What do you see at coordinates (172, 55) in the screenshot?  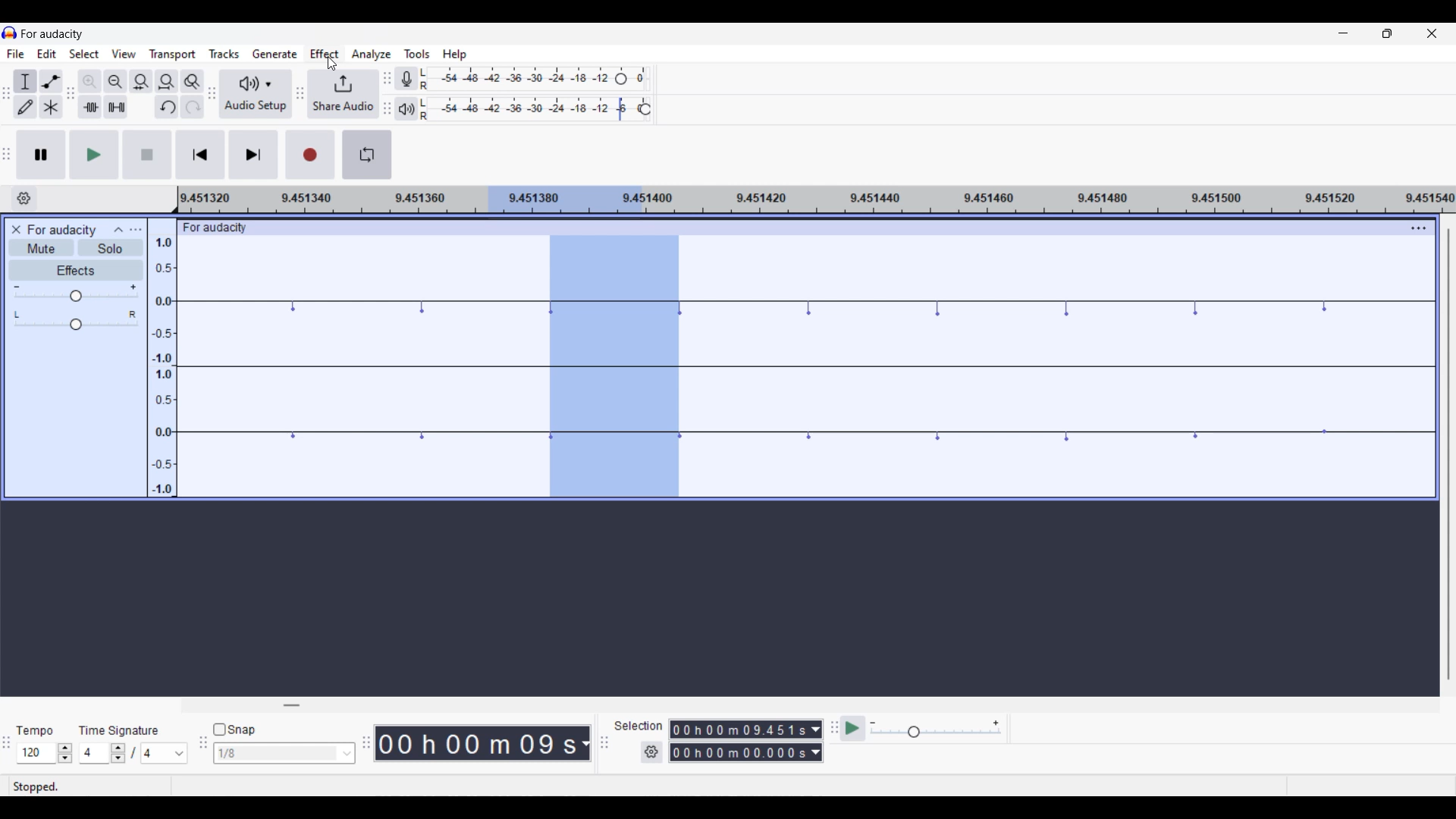 I see `Transport menu` at bounding box center [172, 55].